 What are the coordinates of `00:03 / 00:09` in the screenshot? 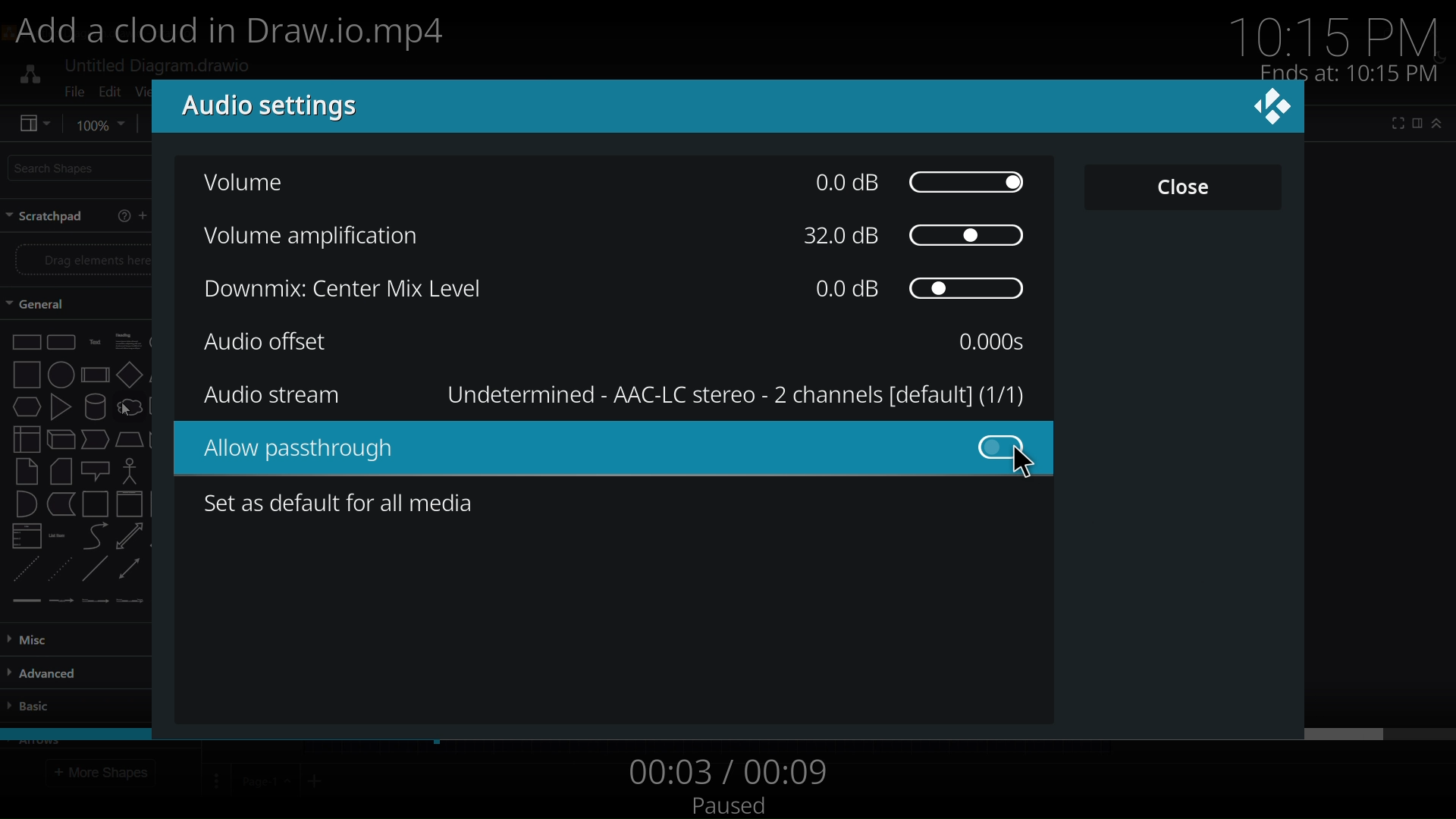 It's located at (728, 769).